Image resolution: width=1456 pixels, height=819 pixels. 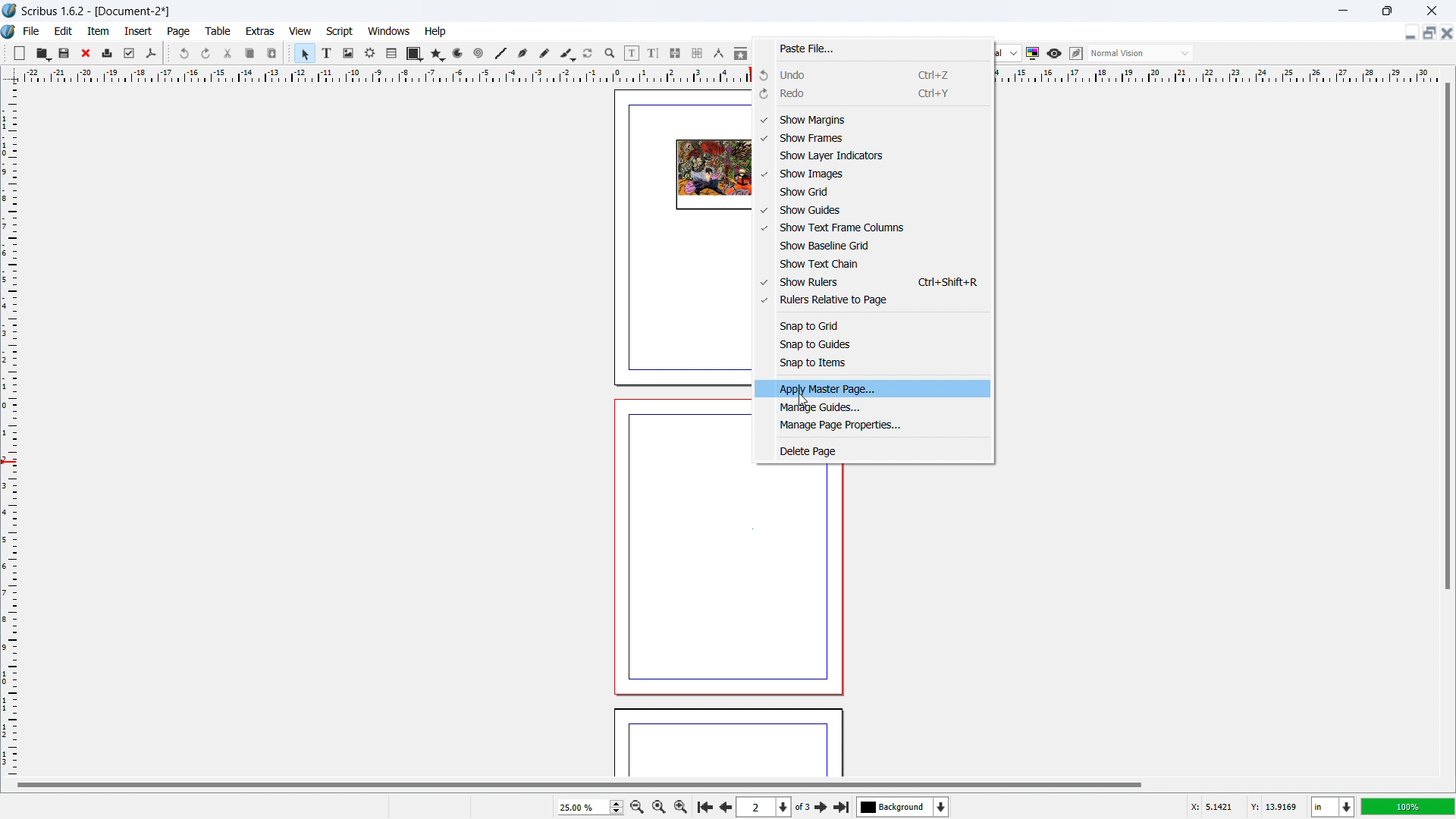 What do you see at coordinates (328, 52) in the screenshot?
I see `text frame` at bounding box center [328, 52].